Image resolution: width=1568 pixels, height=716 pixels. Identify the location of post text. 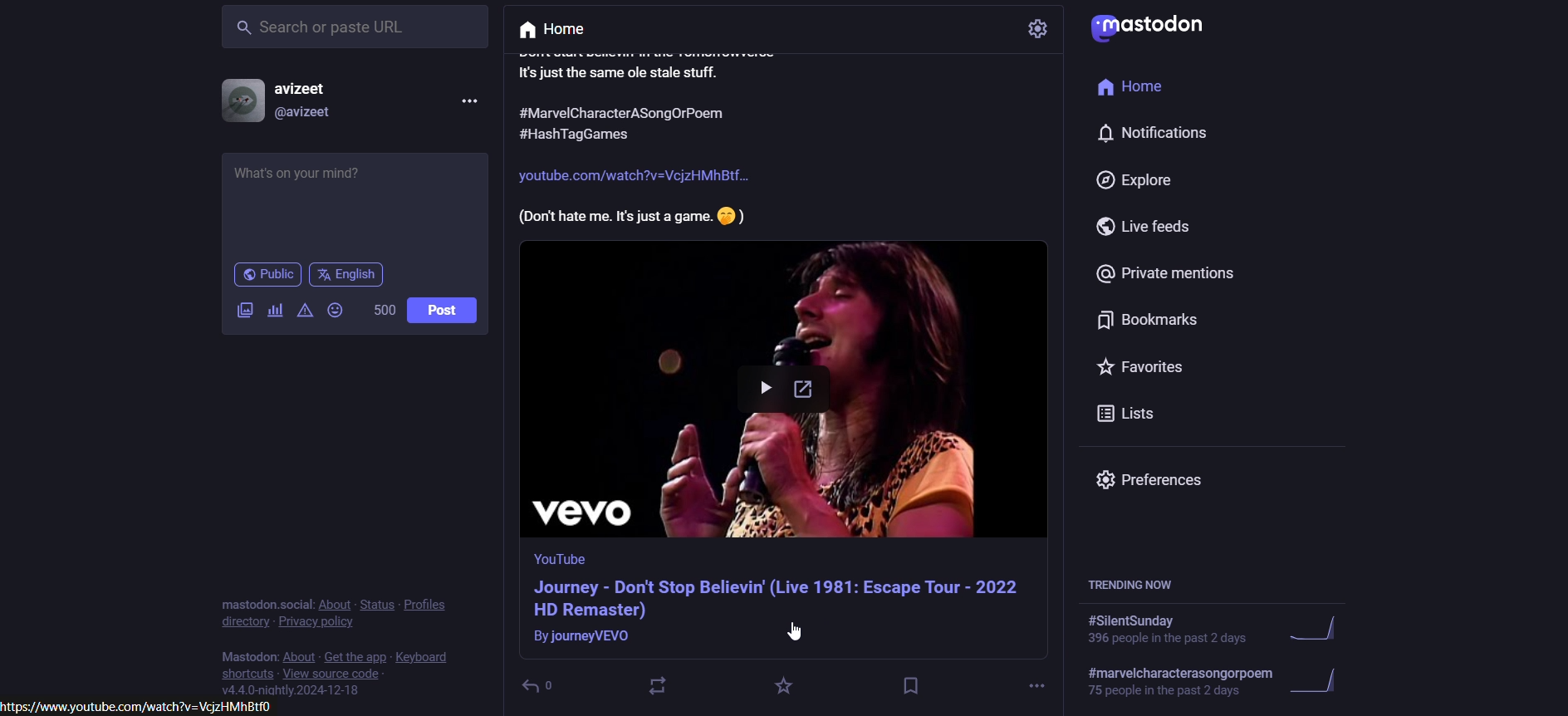
(656, 66).